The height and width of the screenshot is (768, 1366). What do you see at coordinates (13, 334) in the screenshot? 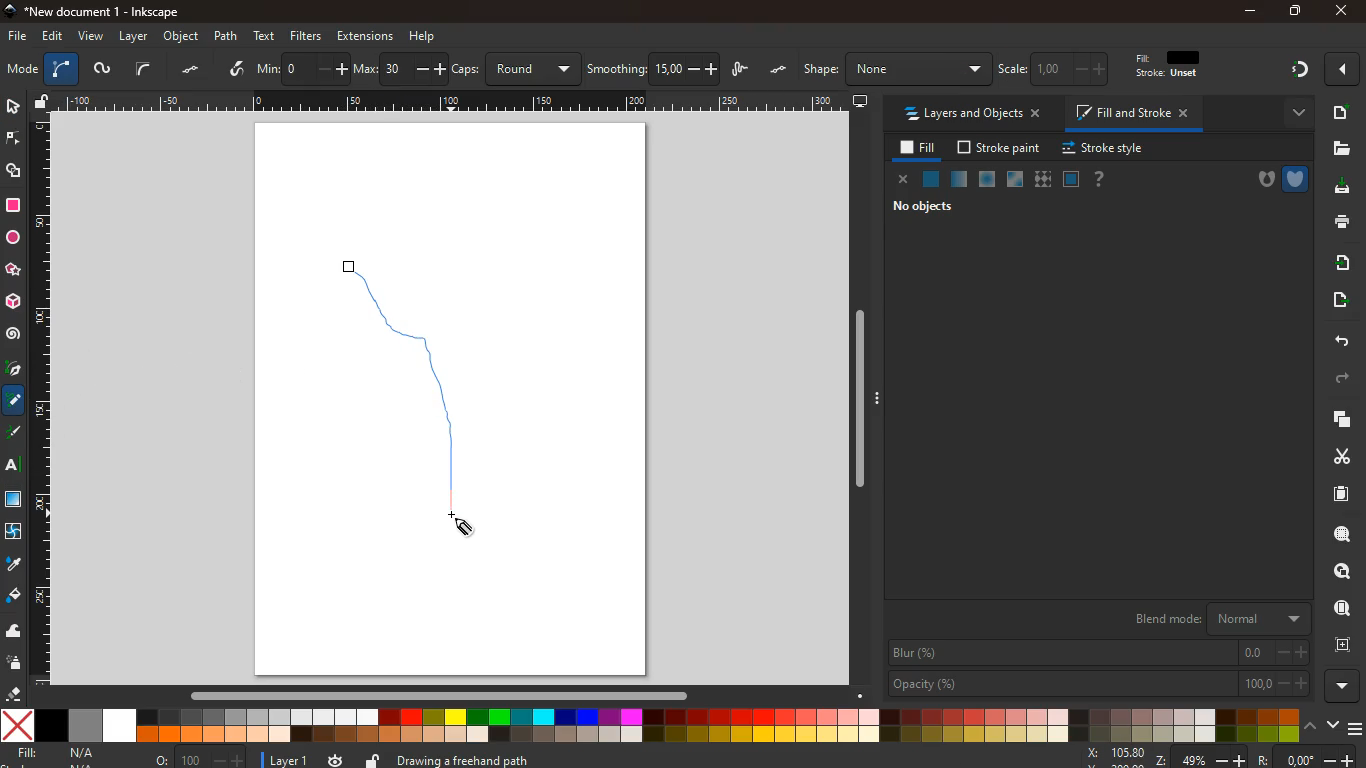
I see `spiral` at bounding box center [13, 334].